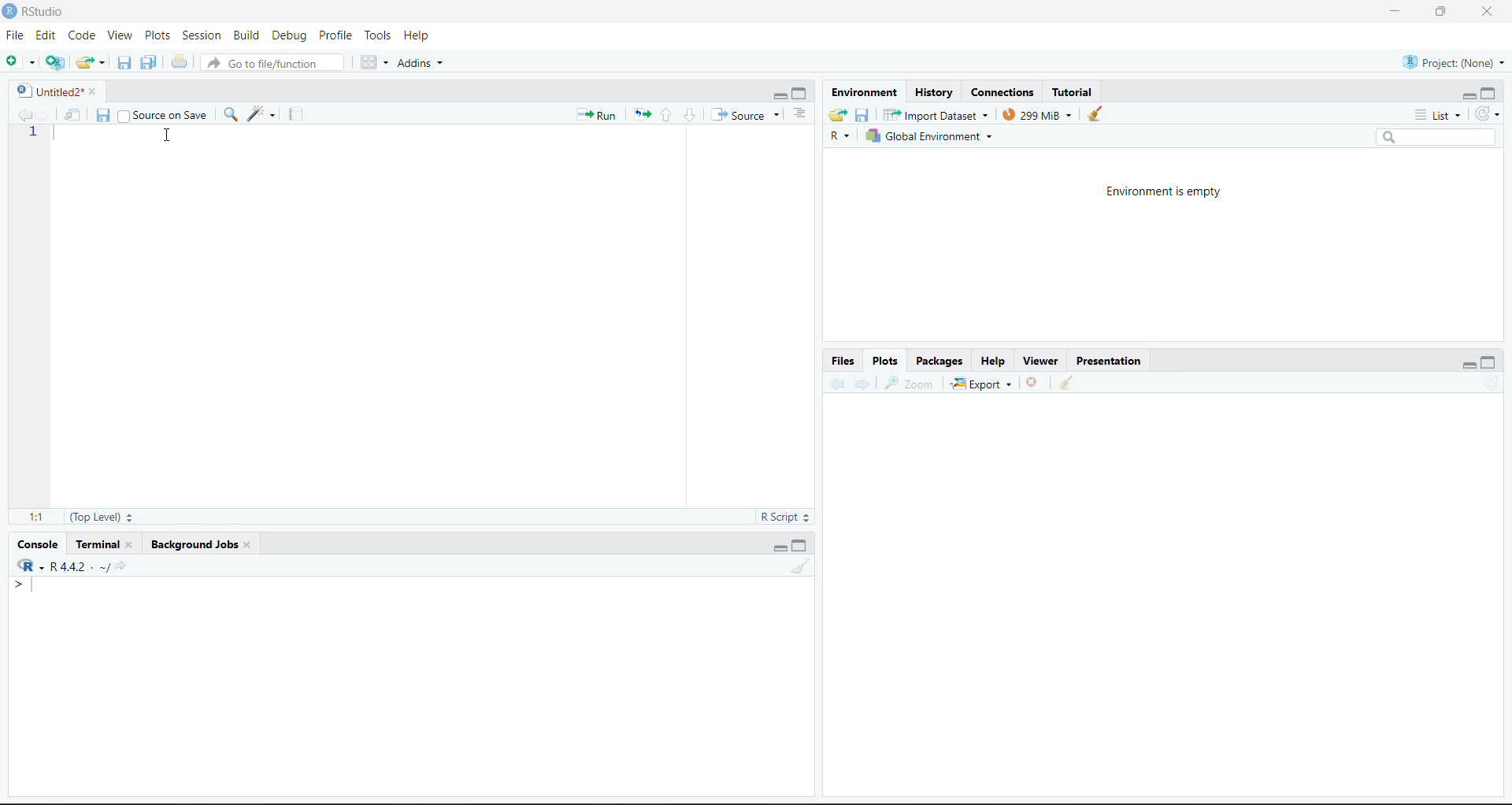 This screenshot has width=1512, height=805. What do you see at coordinates (246, 35) in the screenshot?
I see `Build` at bounding box center [246, 35].